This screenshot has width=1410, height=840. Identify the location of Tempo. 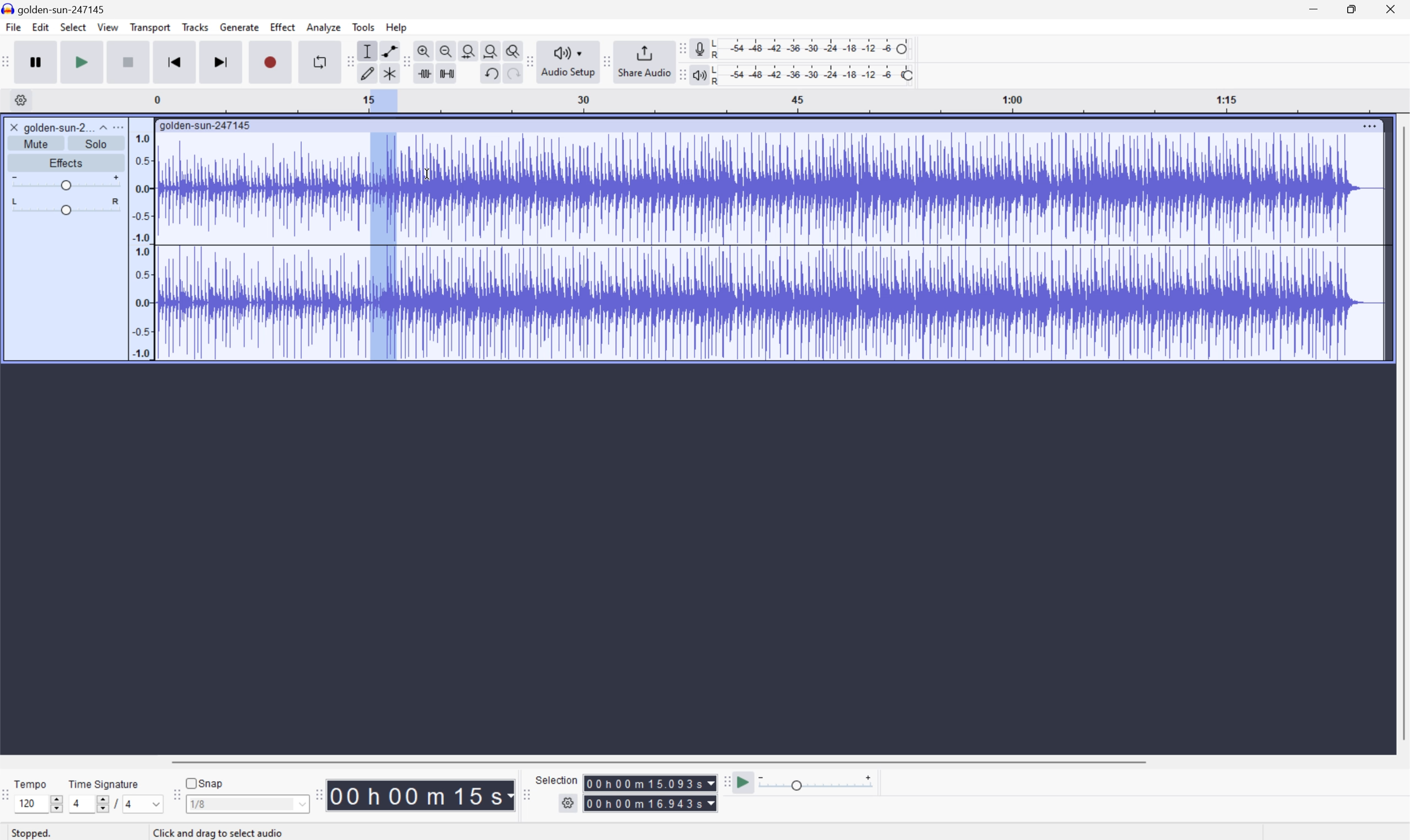
(30, 783).